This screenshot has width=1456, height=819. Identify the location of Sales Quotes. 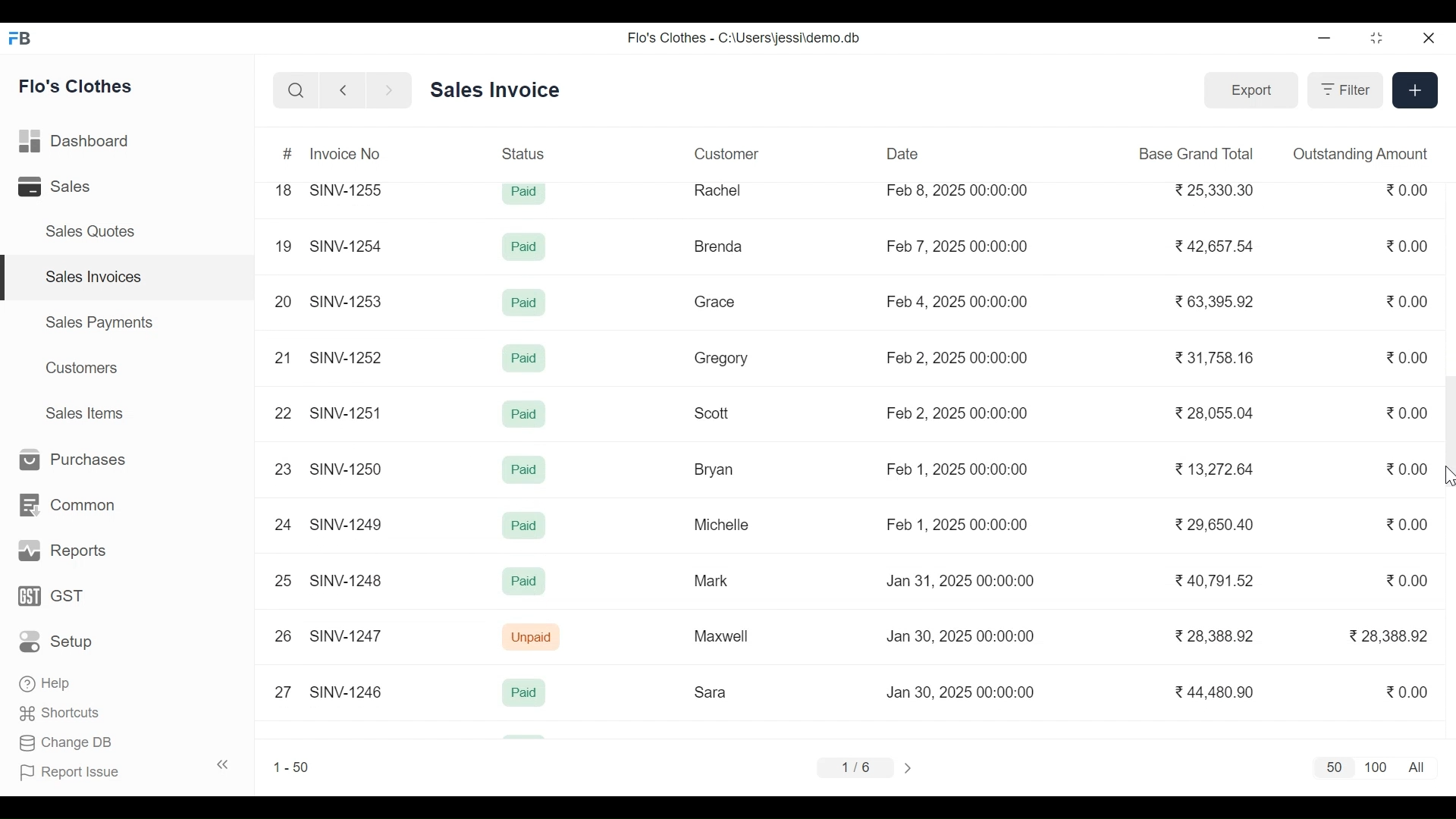
(88, 231).